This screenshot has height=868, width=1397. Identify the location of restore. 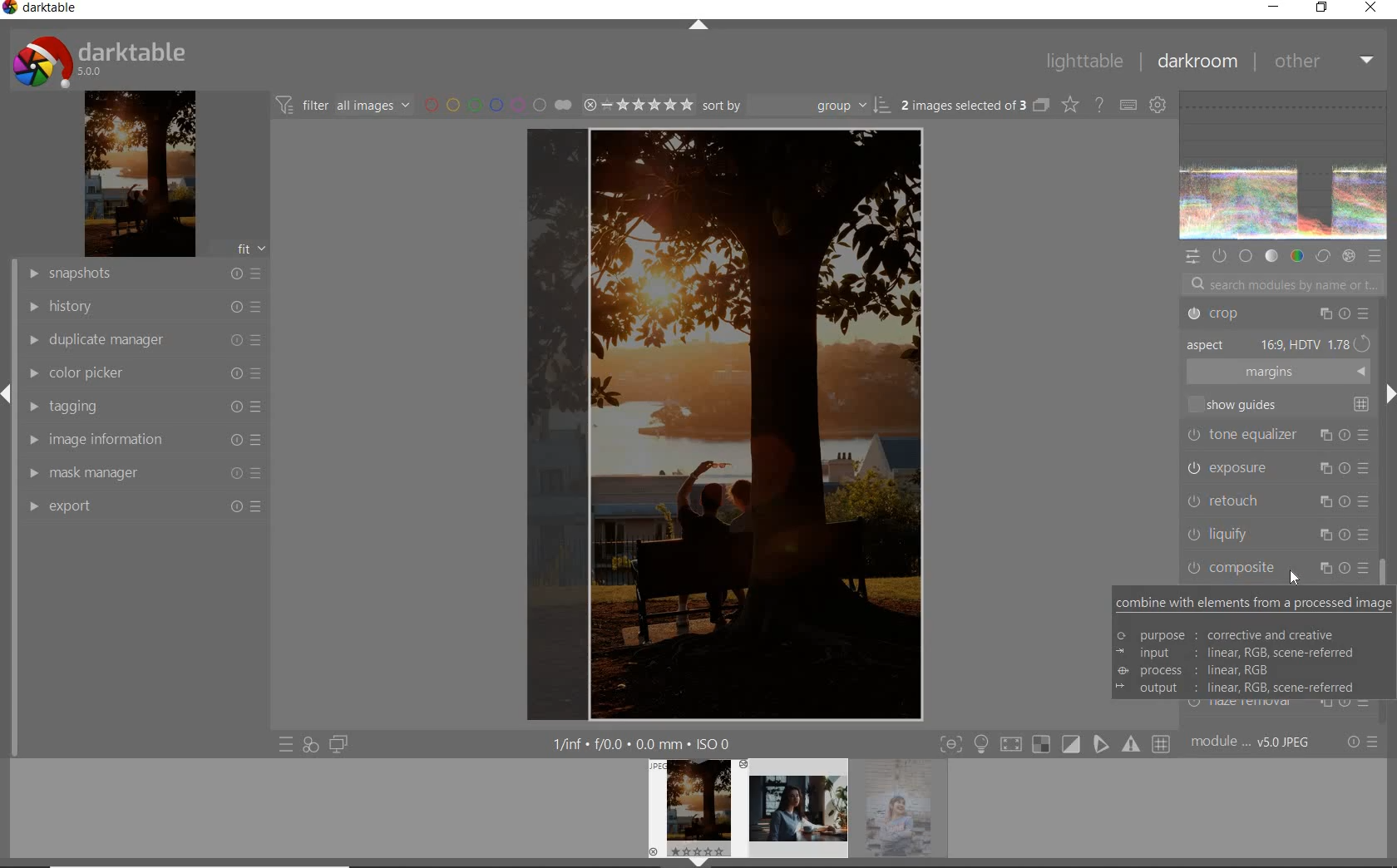
(1321, 8).